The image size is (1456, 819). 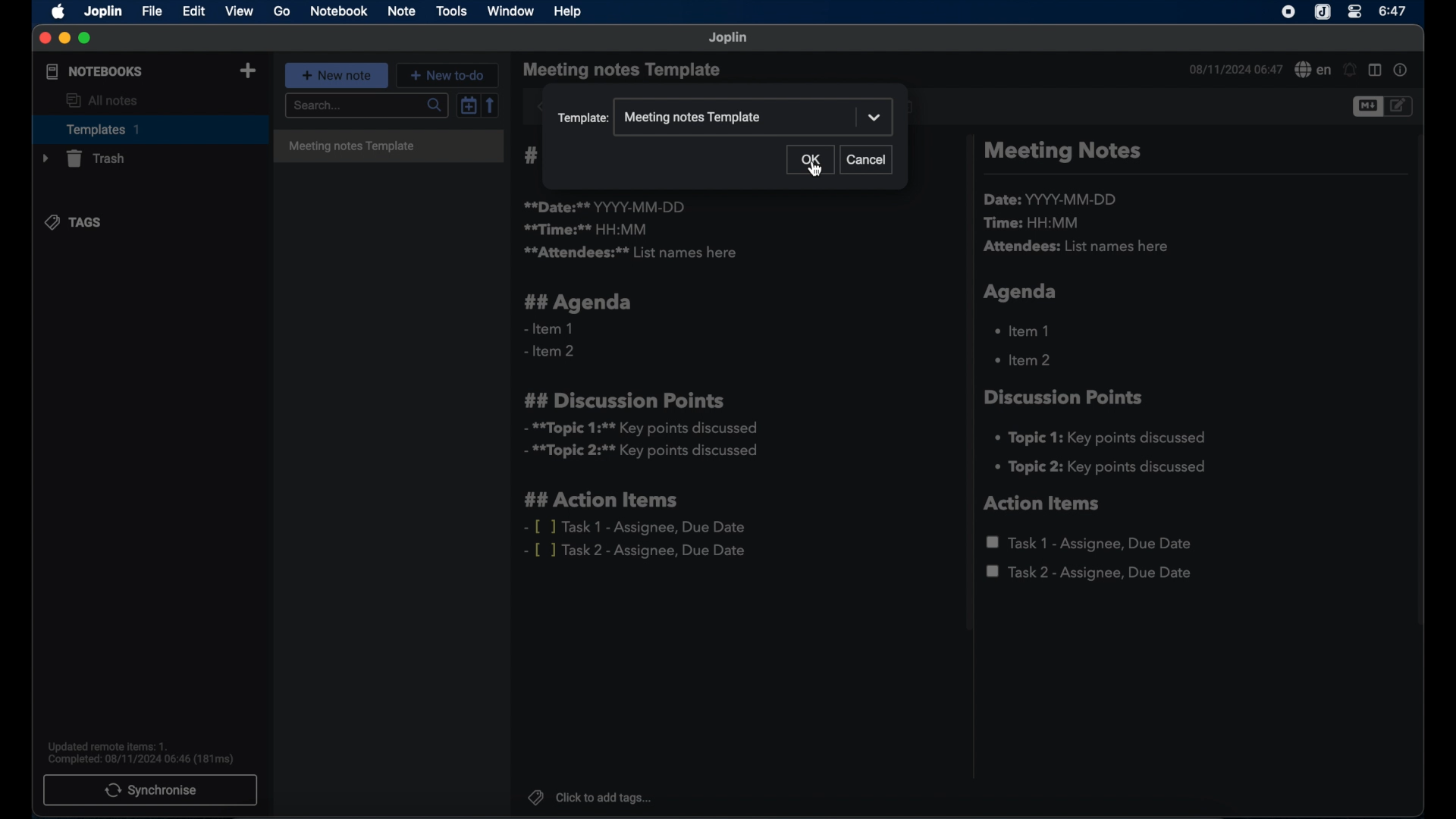 What do you see at coordinates (1375, 71) in the screenshot?
I see `toggle editor layout` at bounding box center [1375, 71].